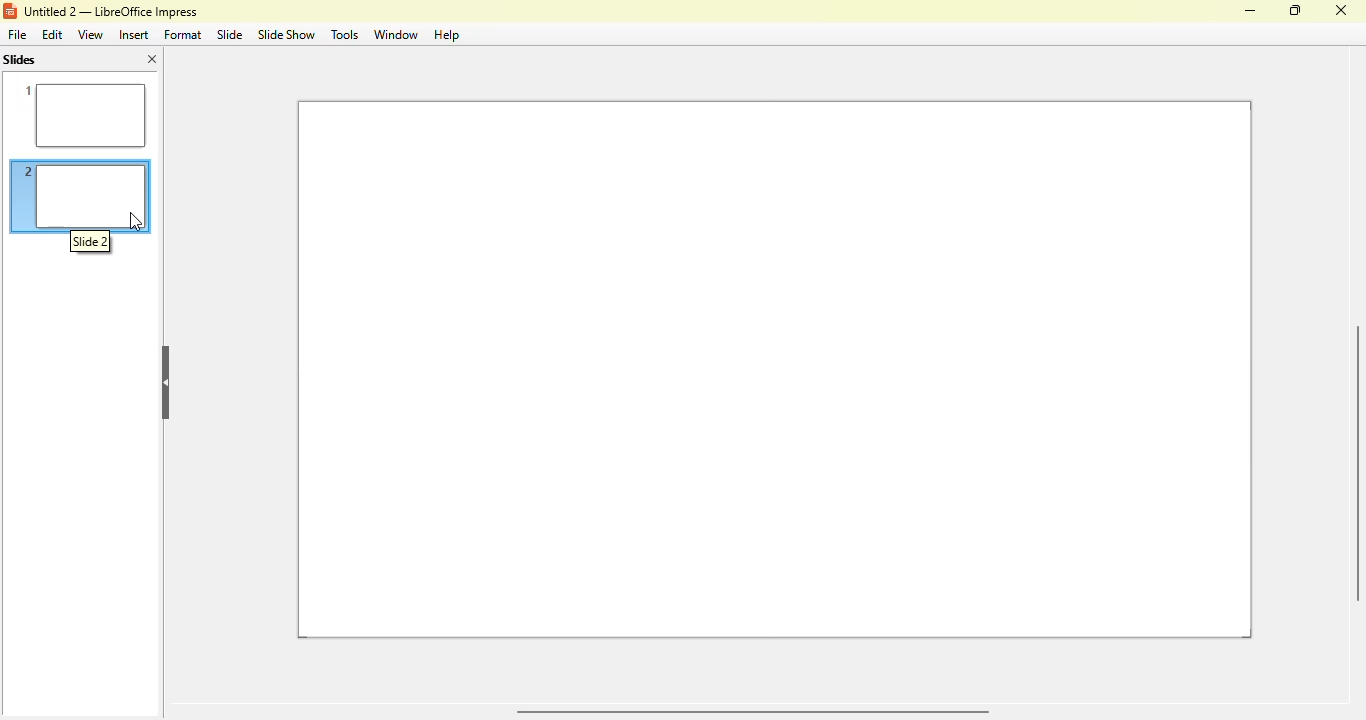 The height and width of the screenshot is (720, 1366). What do you see at coordinates (133, 35) in the screenshot?
I see `insert` at bounding box center [133, 35].